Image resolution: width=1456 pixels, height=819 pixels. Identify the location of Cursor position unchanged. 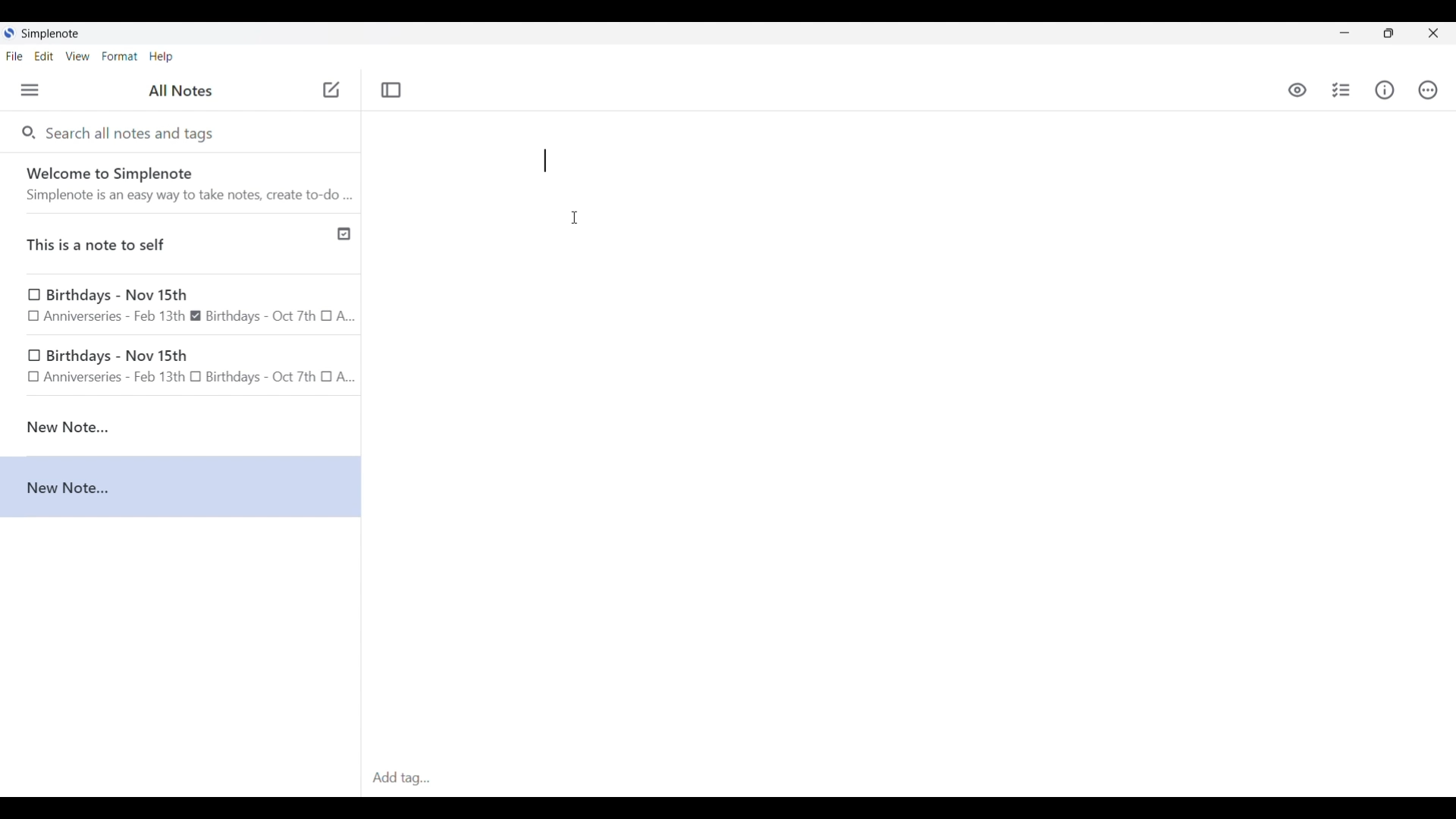
(575, 218).